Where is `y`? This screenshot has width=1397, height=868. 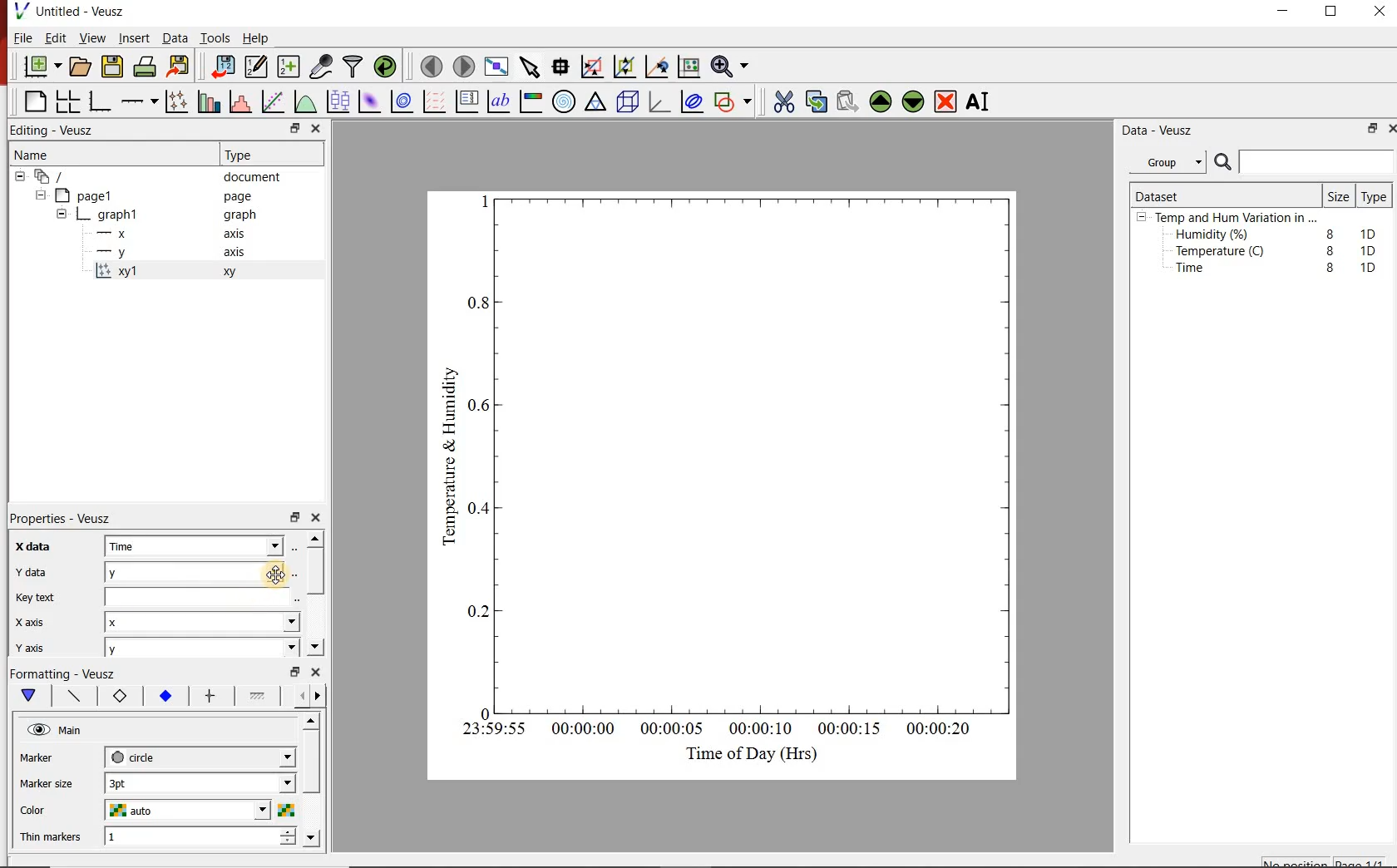 y is located at coordinates (127, 572).